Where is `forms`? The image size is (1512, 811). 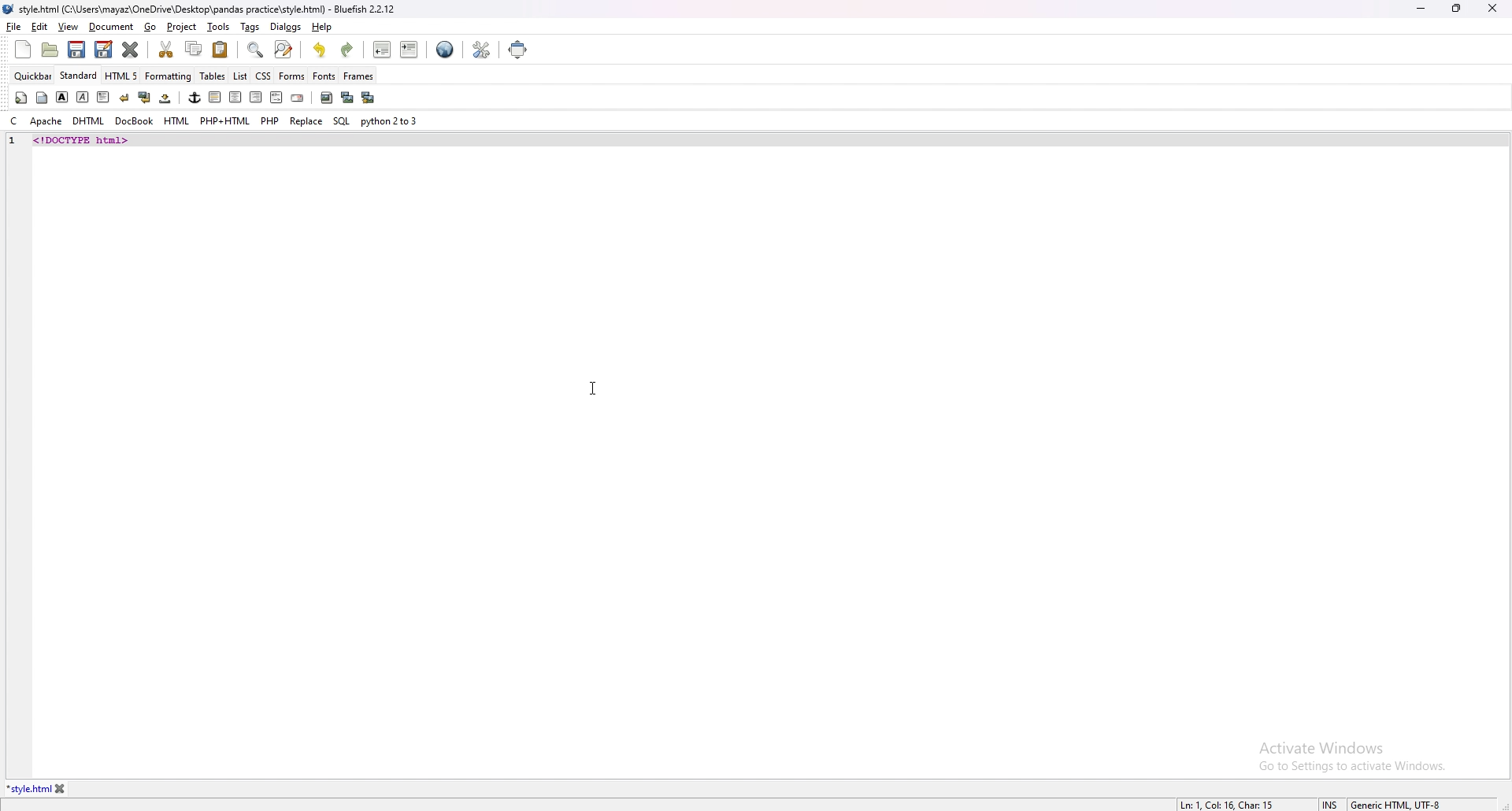
forms is located at coordinates (292, 75).